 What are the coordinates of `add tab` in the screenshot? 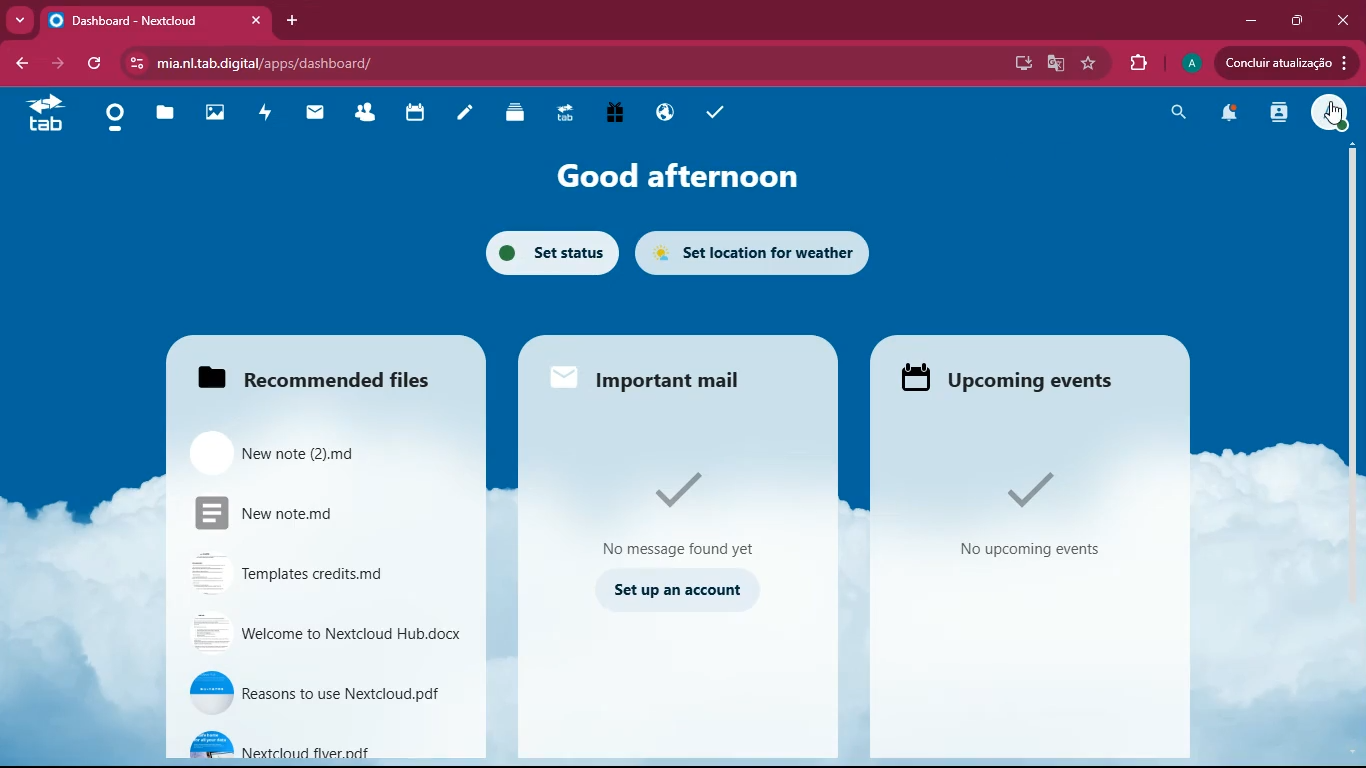 It's located at (293, 18).